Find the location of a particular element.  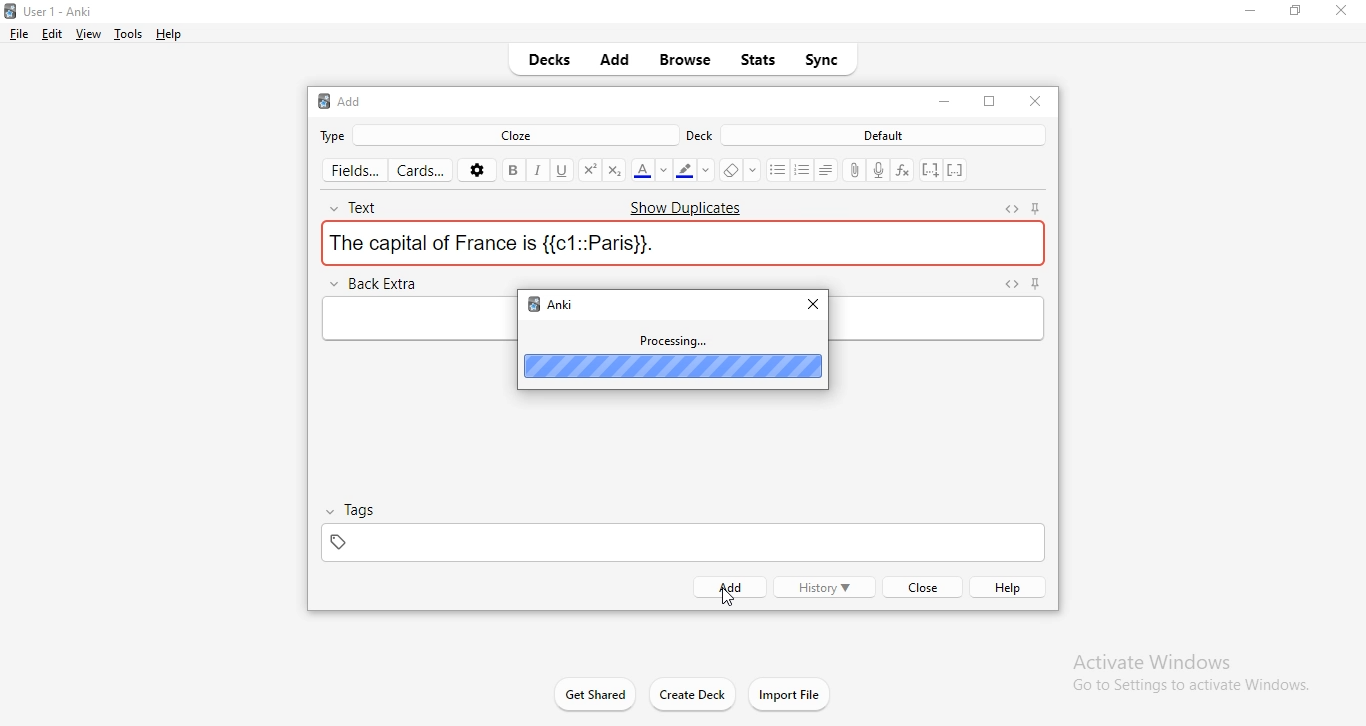

processing is located at coordinates (673, 342).